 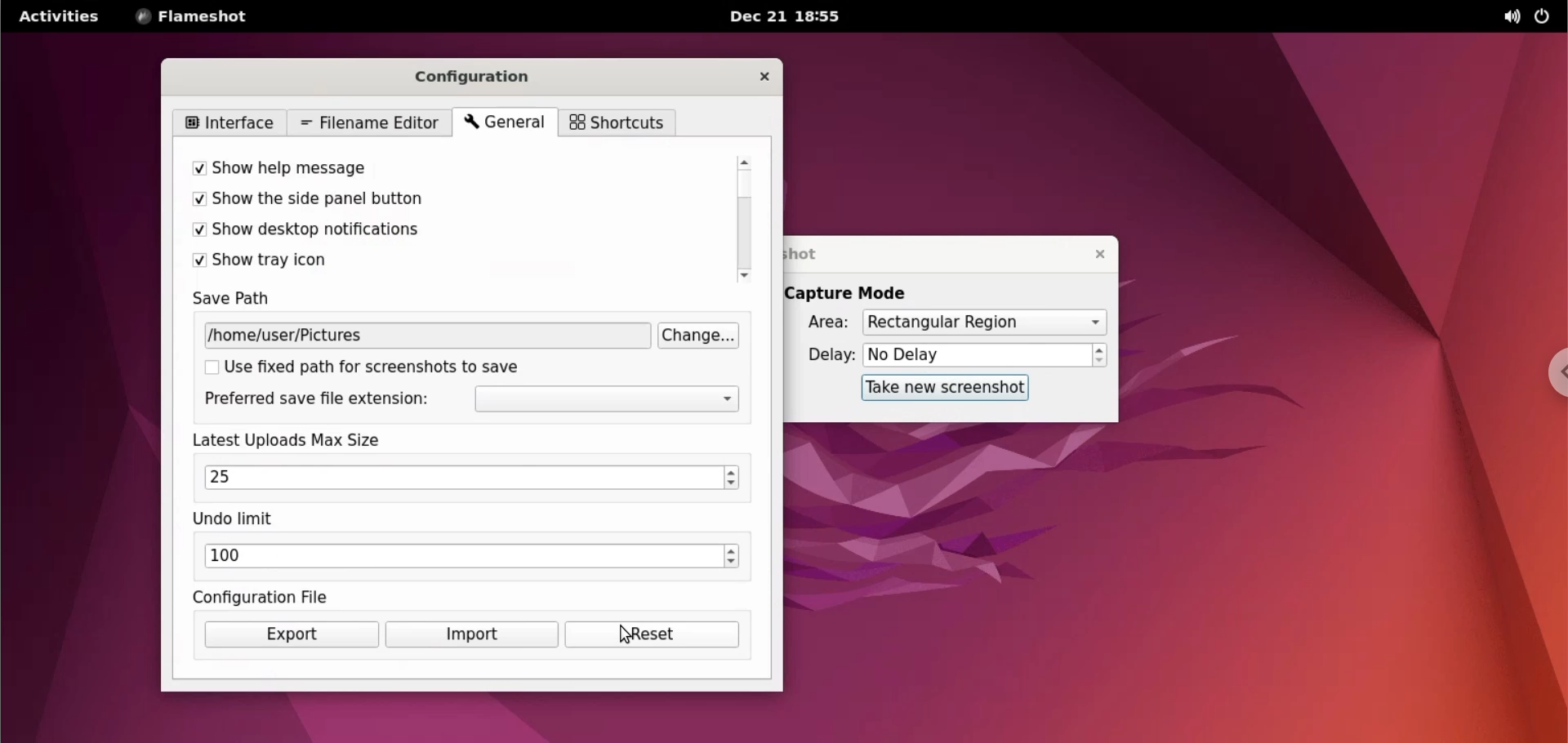 I want to click on save path, so click(x=242, y=300).